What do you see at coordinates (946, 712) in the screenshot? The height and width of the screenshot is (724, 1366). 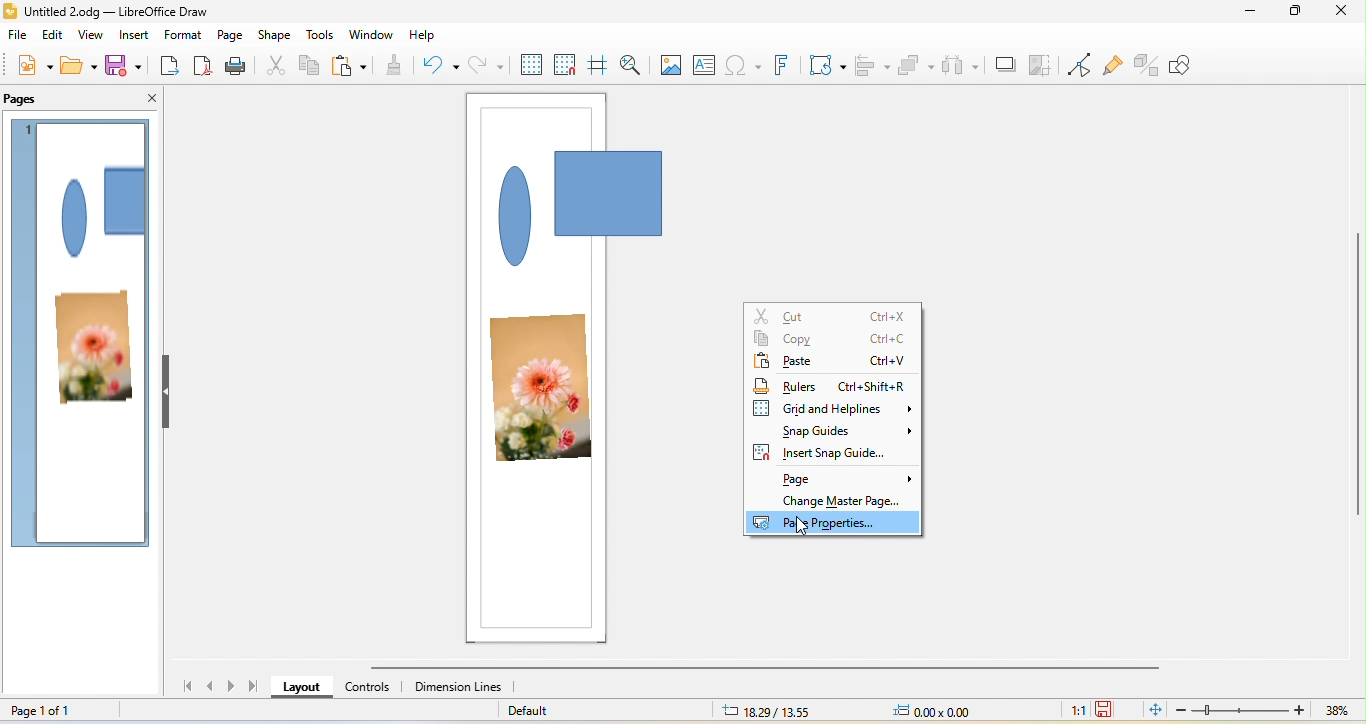 I see `0.00x0.00` at bounding box center [946, 712].